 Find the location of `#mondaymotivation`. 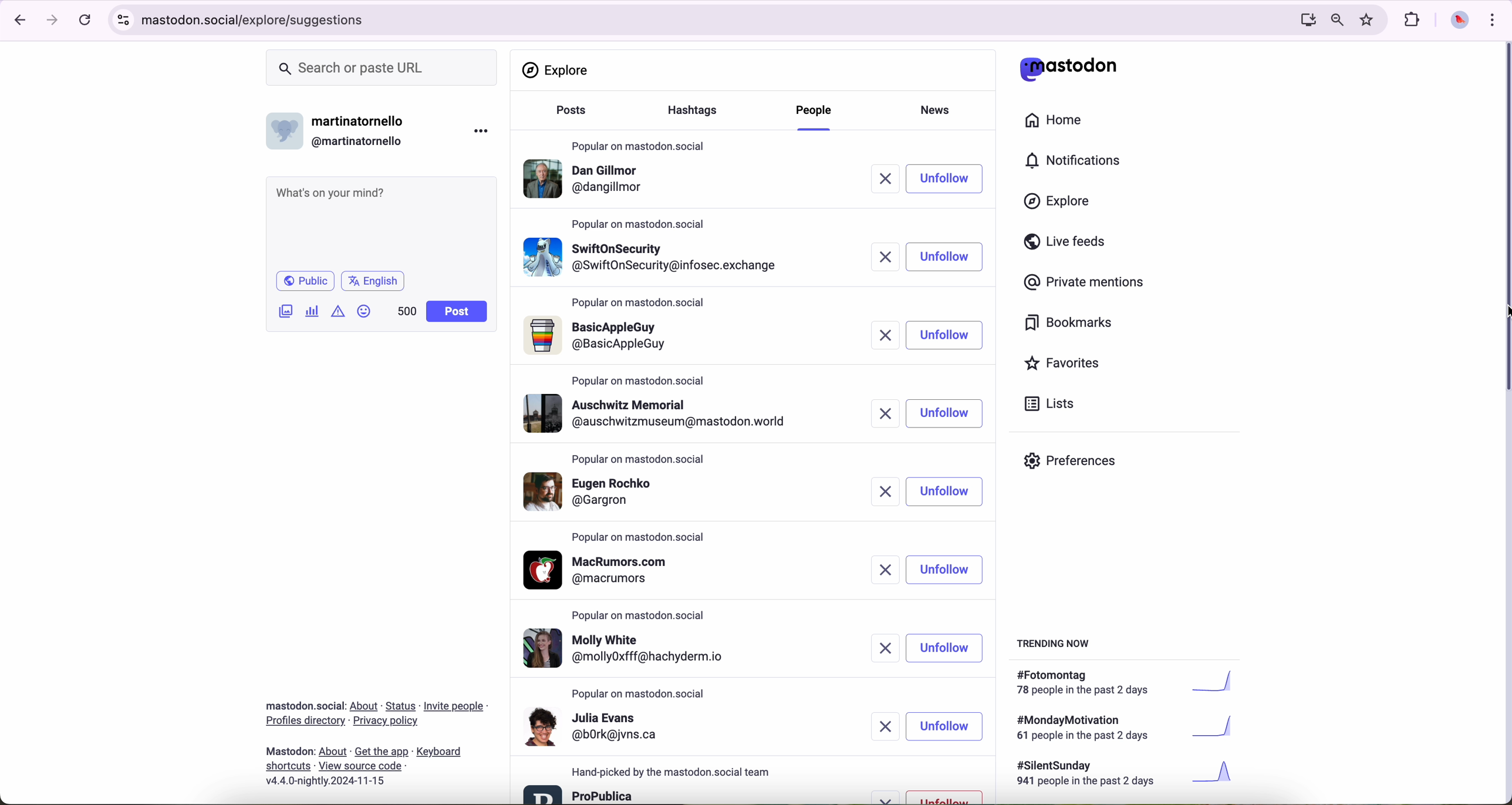

#mondaymotivation is located at coordinates (1123, 727).